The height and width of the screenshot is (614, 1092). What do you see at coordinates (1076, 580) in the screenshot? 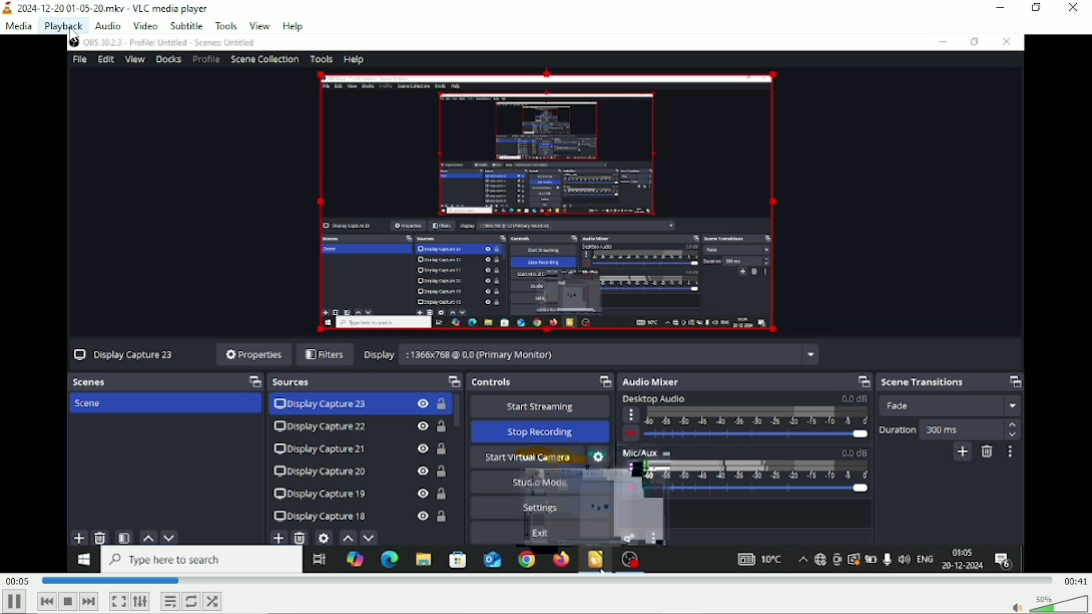
I see `Total duration` at bounding box center [1076, 580].